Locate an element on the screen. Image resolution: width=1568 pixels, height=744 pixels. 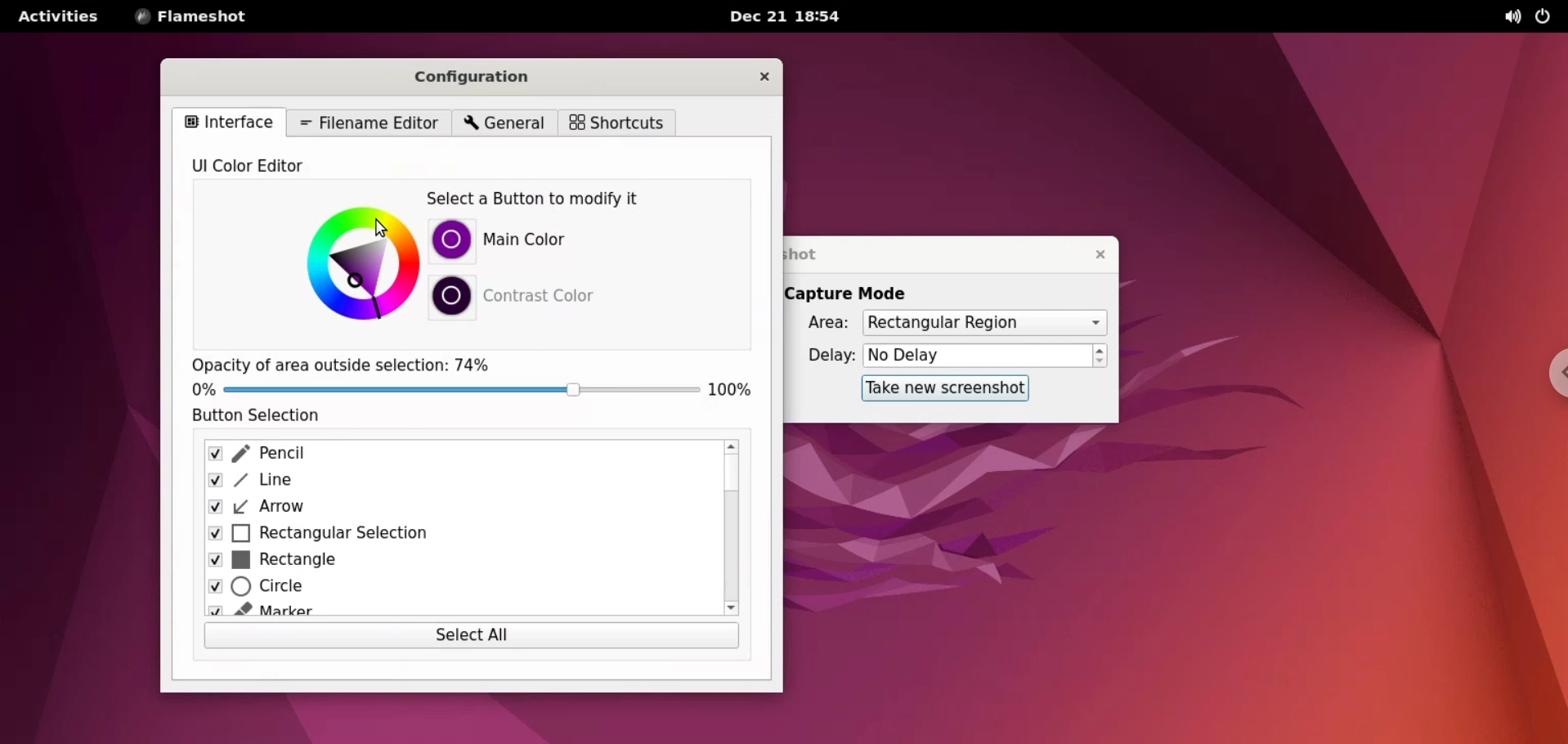
main color is located at coordinates (545, 238).